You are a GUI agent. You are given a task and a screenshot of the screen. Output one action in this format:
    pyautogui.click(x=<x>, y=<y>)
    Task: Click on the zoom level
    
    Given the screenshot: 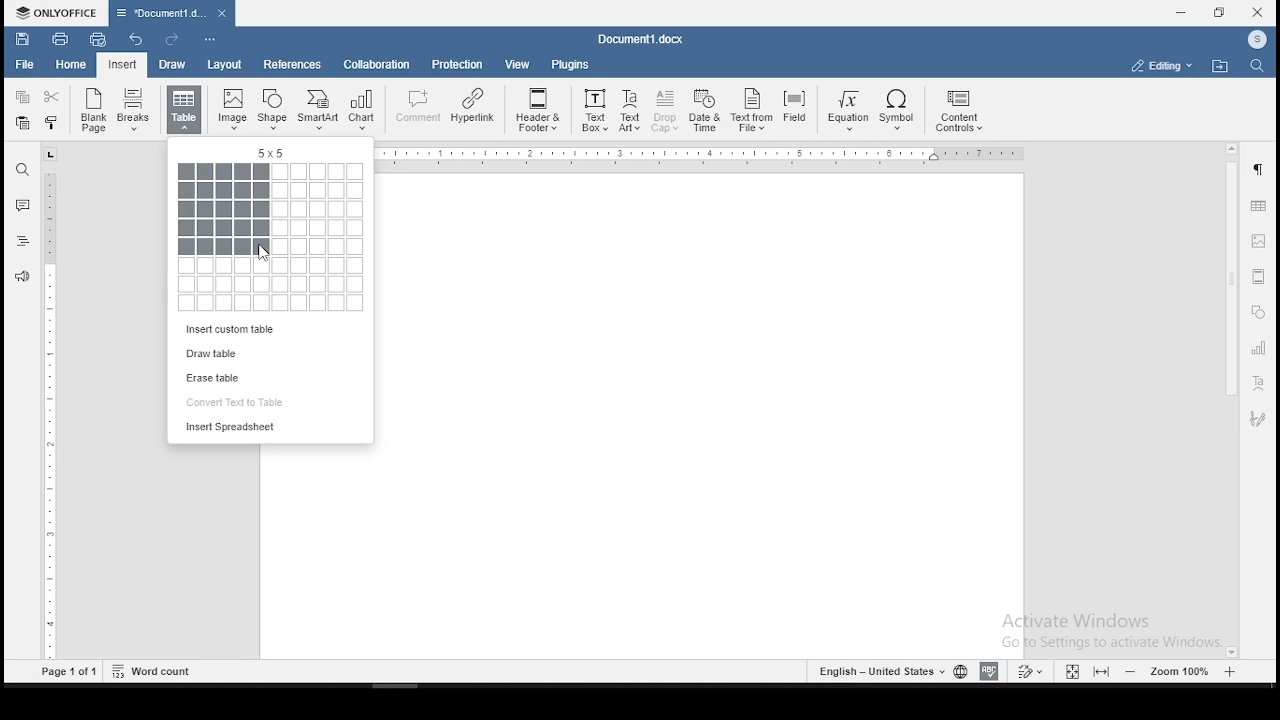 What is the action you would take?
    pyautogui.click(x=1181, y=671)
    